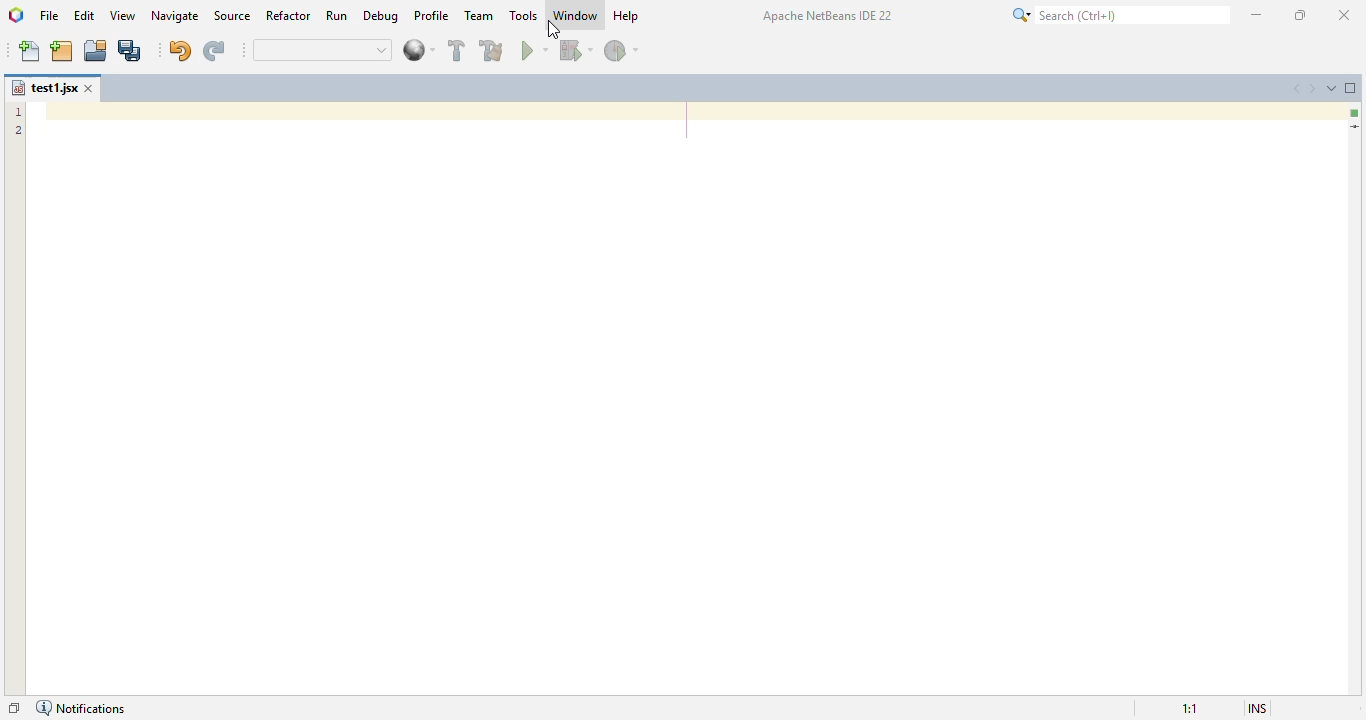 This screenshot has height=720, width=1366. Describe the element at coordinates (523, 15) in the screenshot. I see `tools` at that location.